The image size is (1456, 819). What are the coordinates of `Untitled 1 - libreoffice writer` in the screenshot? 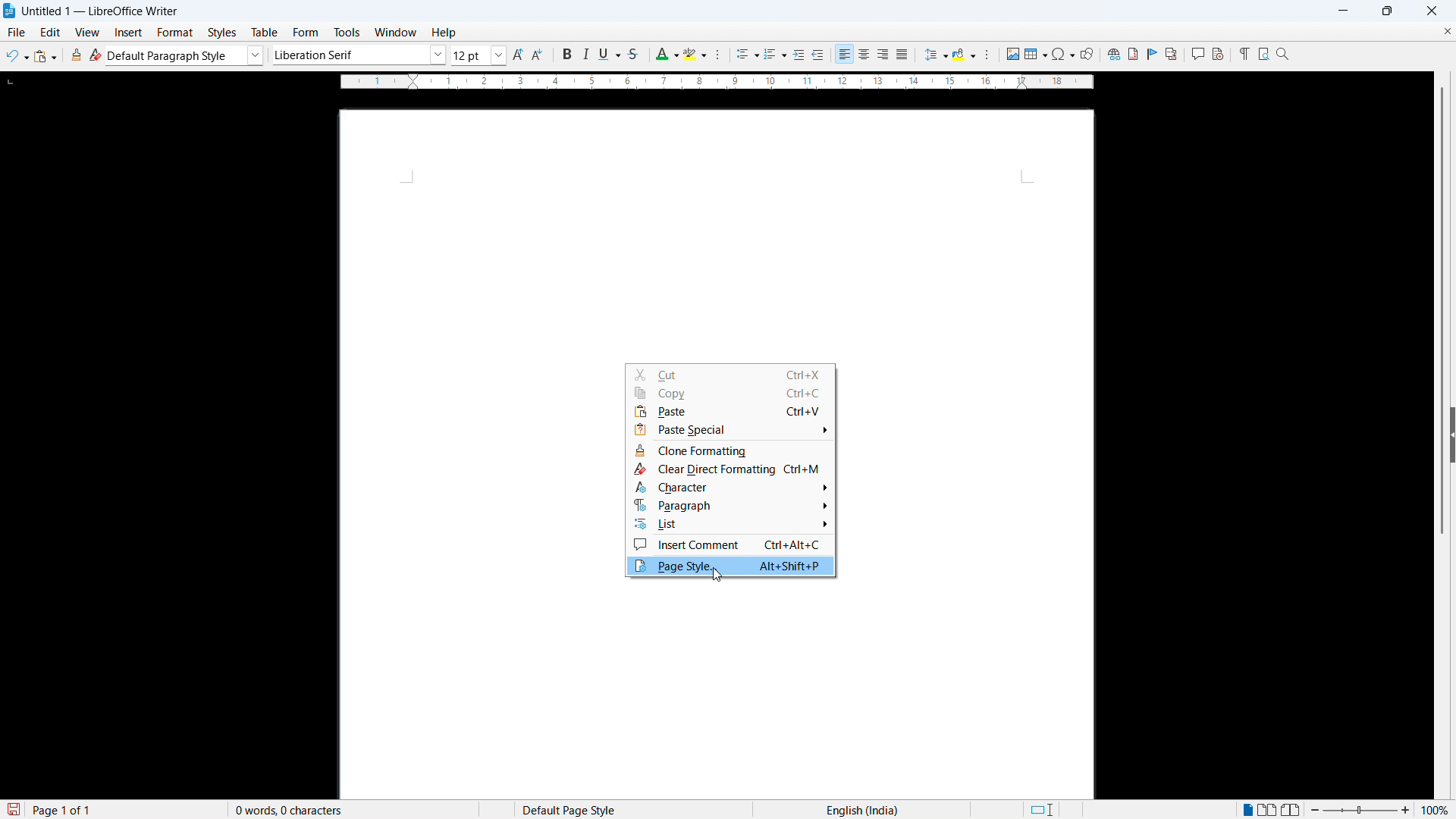 It's located at (100, 12).